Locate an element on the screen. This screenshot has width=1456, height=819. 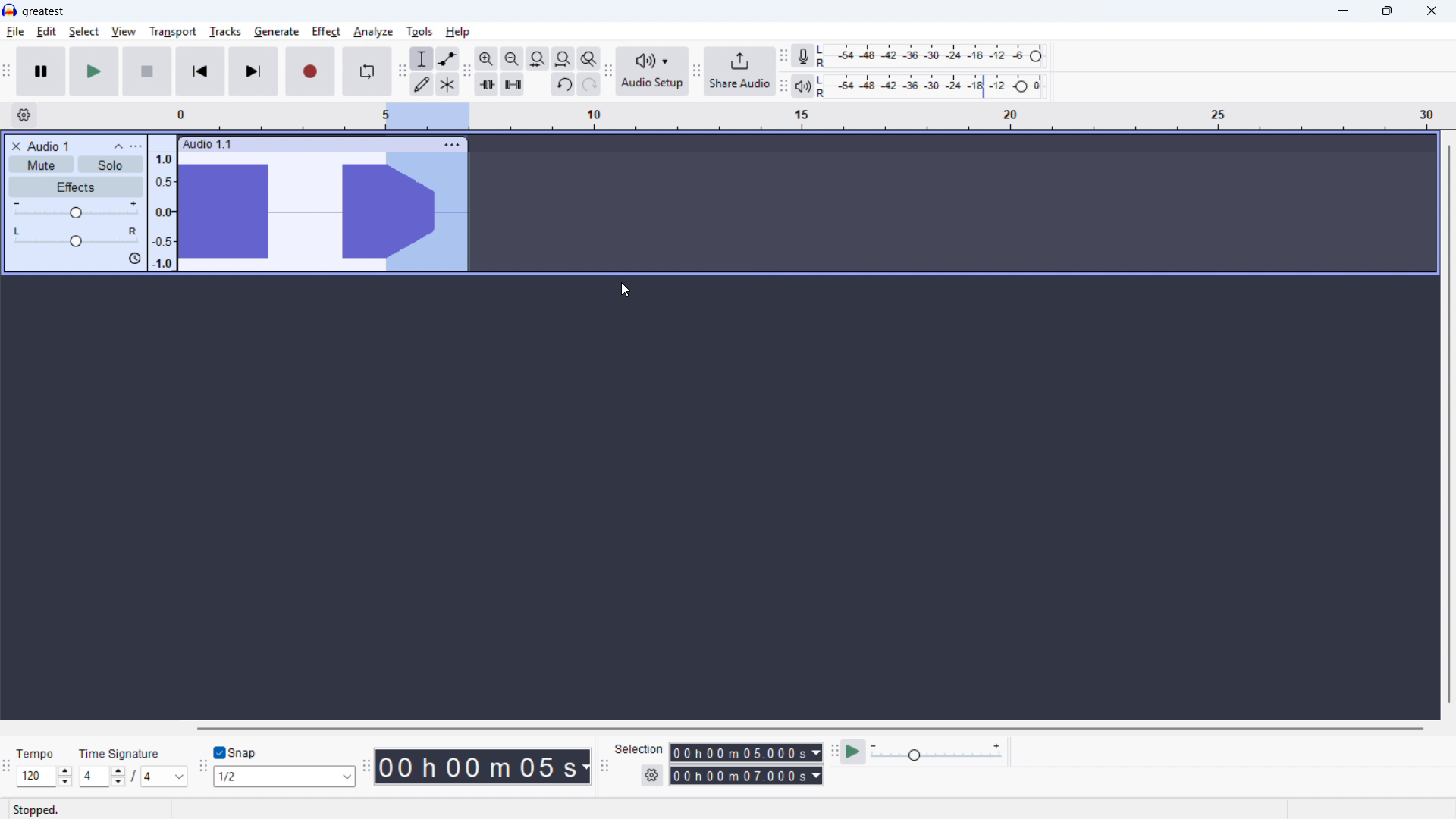
Track wave form  is located at coordinates (278, 212).